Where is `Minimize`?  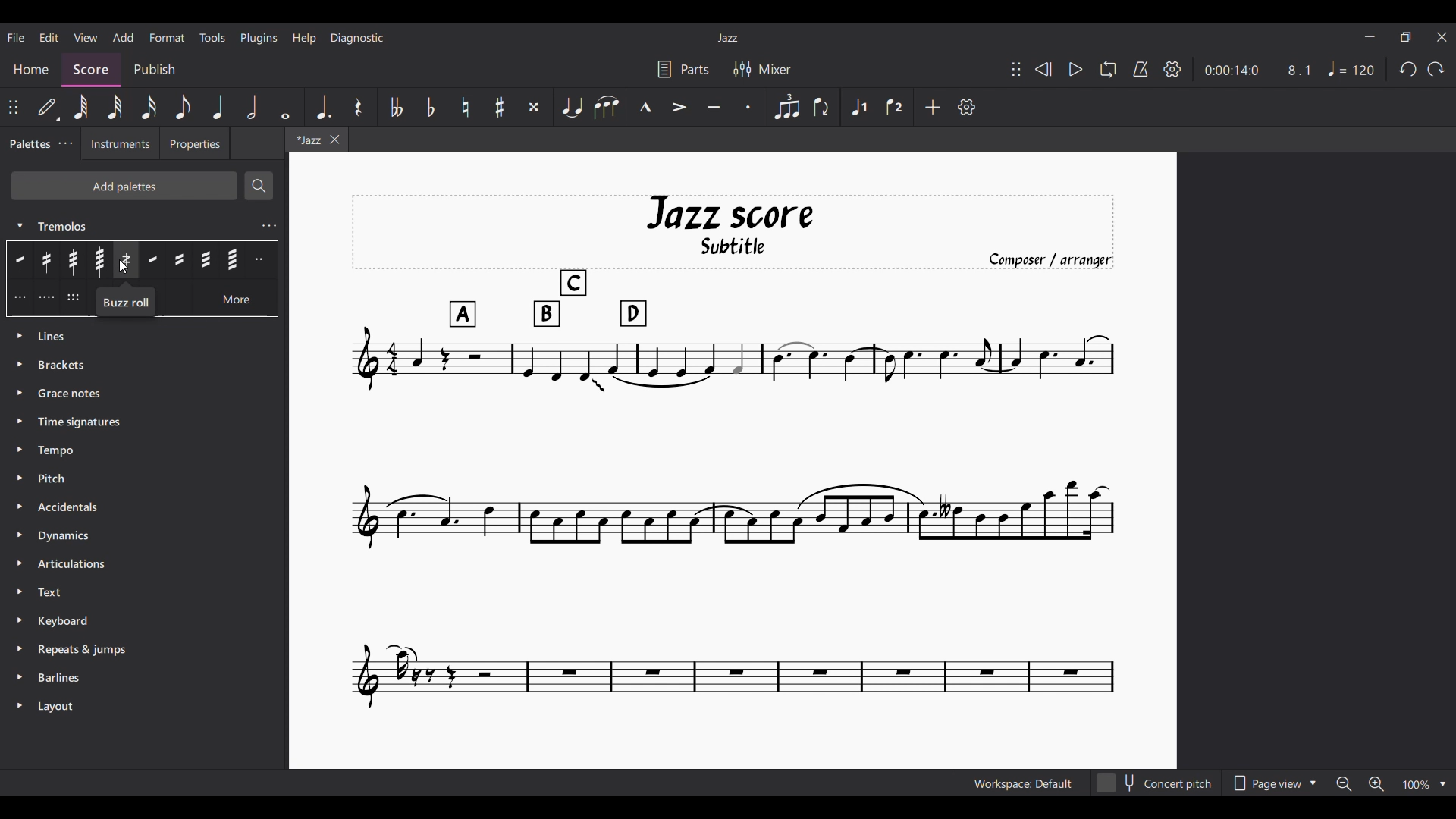
Minimize is located at coordinates (1370, 36).